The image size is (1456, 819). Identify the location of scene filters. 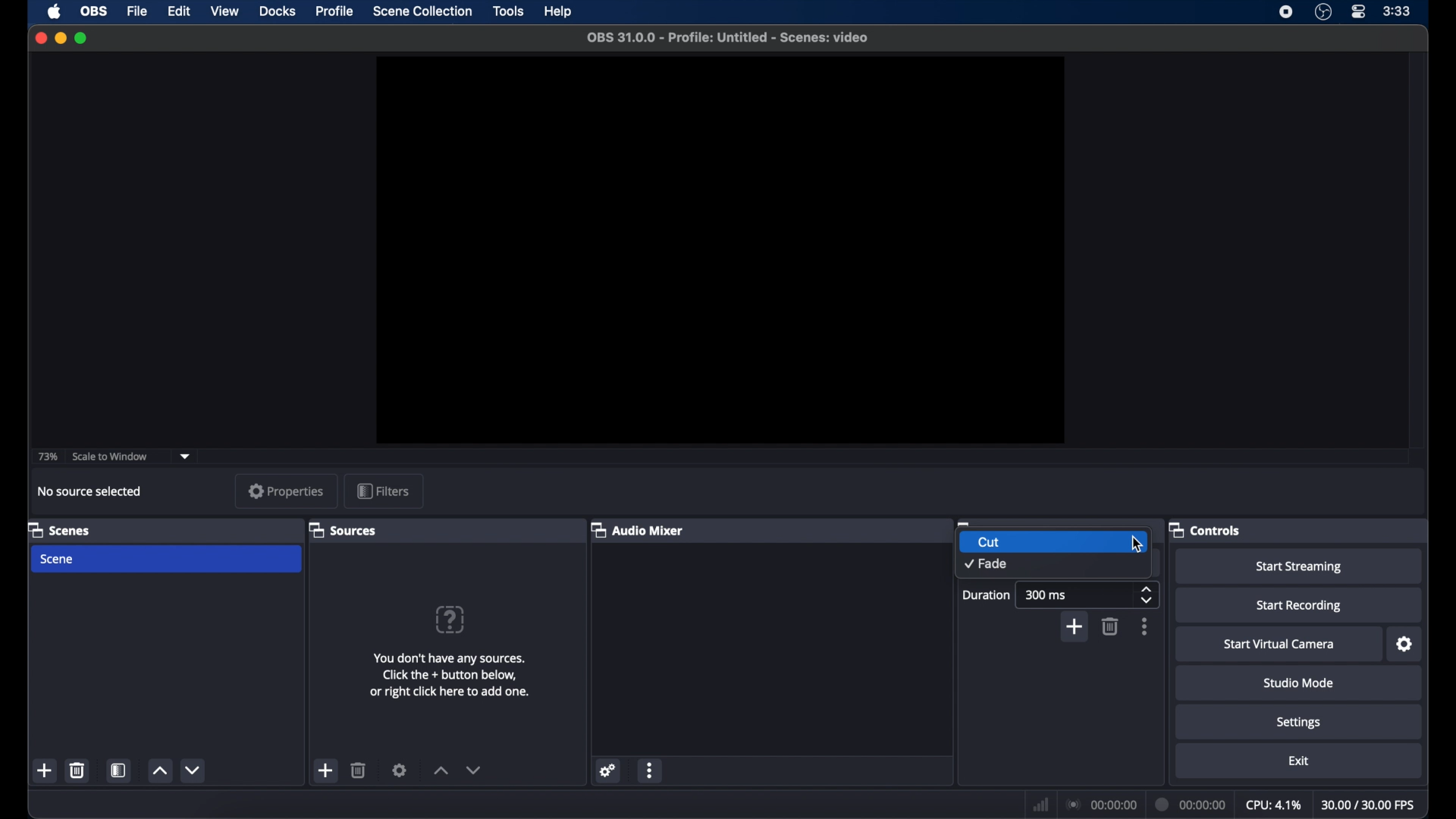
(120, 770).